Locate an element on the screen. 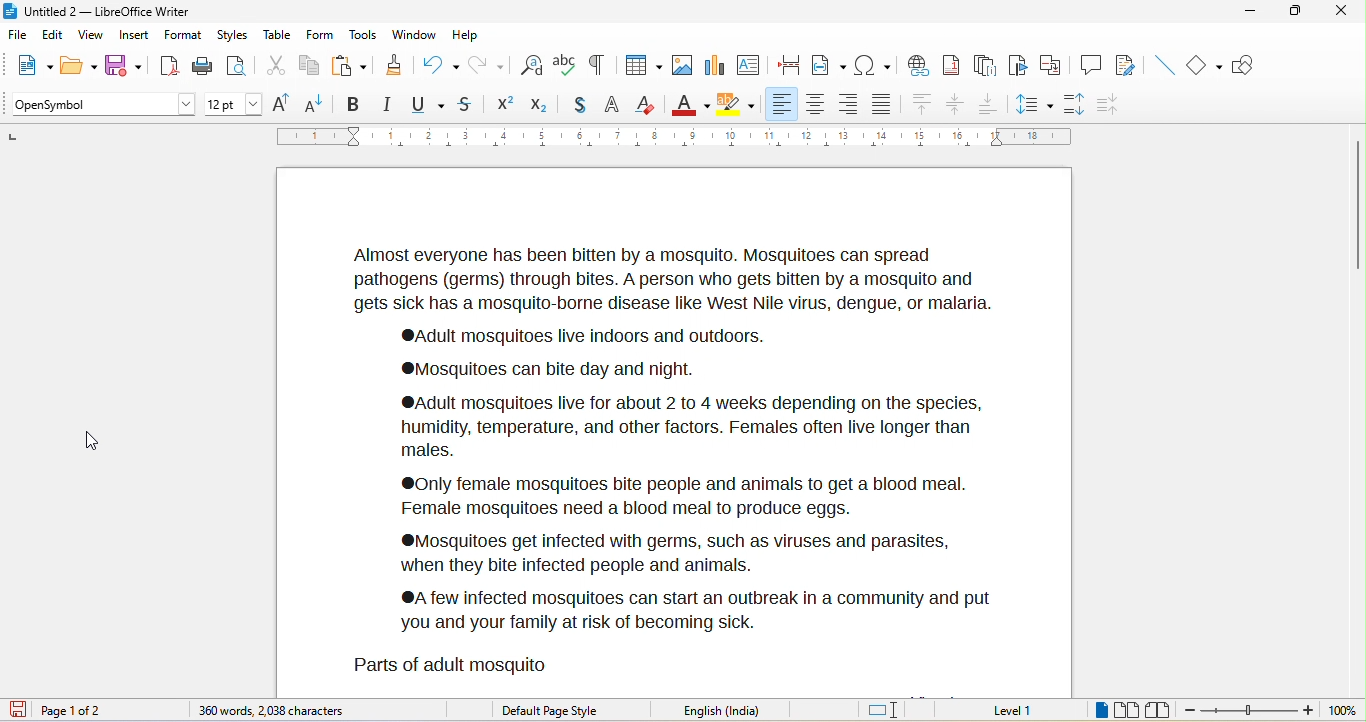  outline font effect is located at coordinates (612, 103).